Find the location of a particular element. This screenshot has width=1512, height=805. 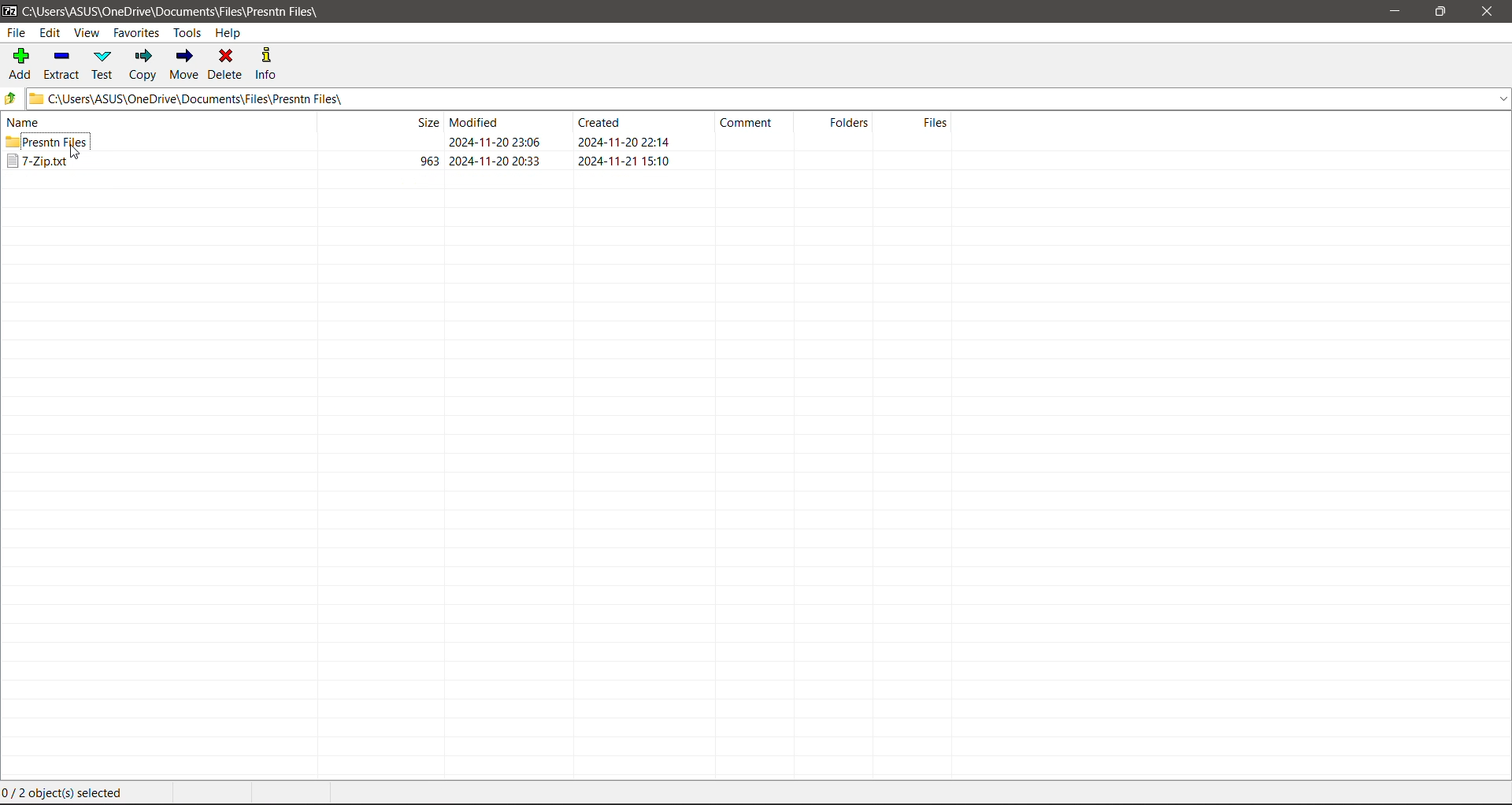

Edit is located at coordinates (53, 33).